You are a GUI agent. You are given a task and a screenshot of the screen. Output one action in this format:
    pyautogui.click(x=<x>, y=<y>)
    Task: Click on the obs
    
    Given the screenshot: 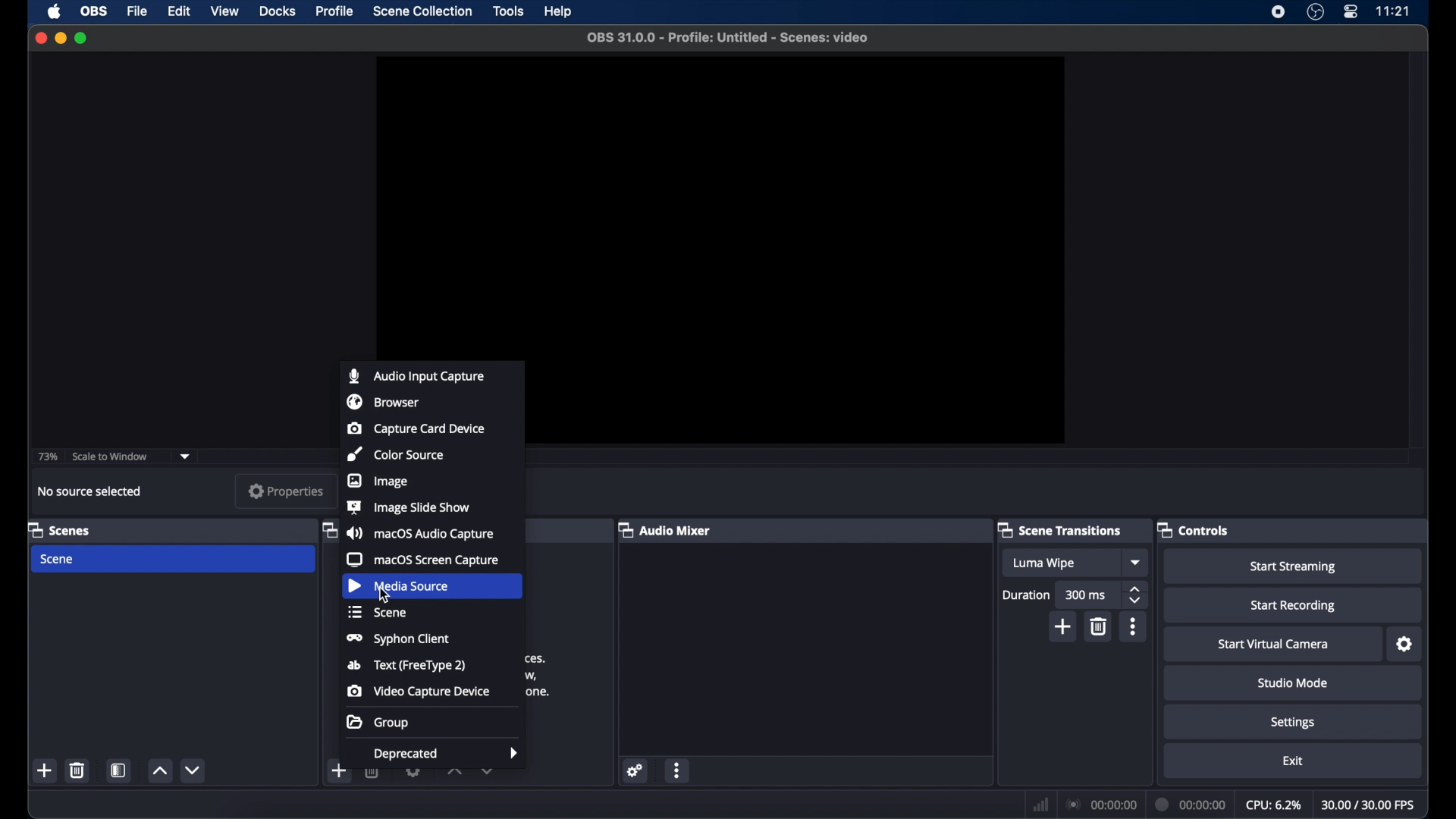 What is the action you would take?
    pyautogui.click(x=96, y=11)
    